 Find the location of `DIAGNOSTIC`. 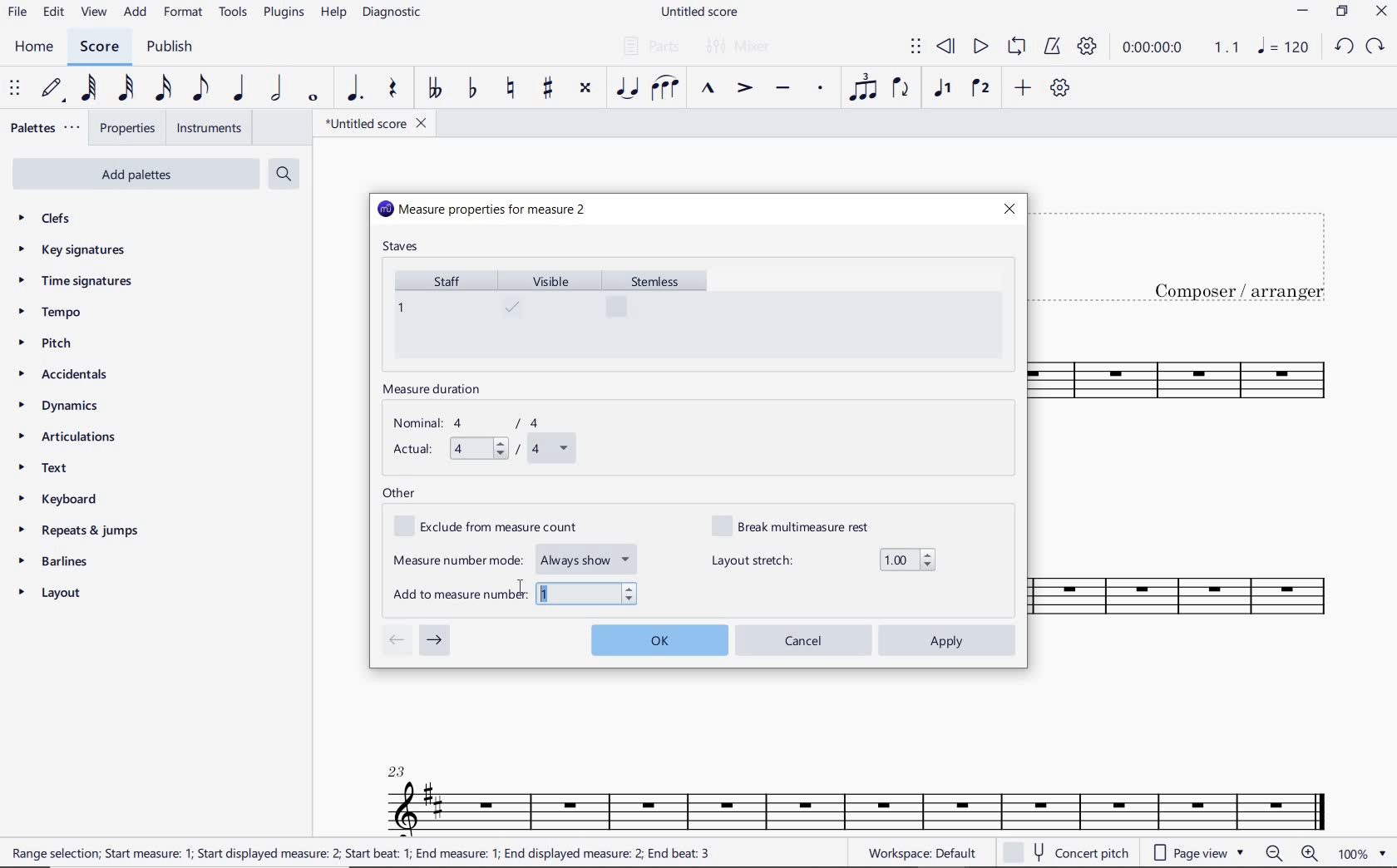

DIAGNOSTIC is located at coordinates (397, 13).